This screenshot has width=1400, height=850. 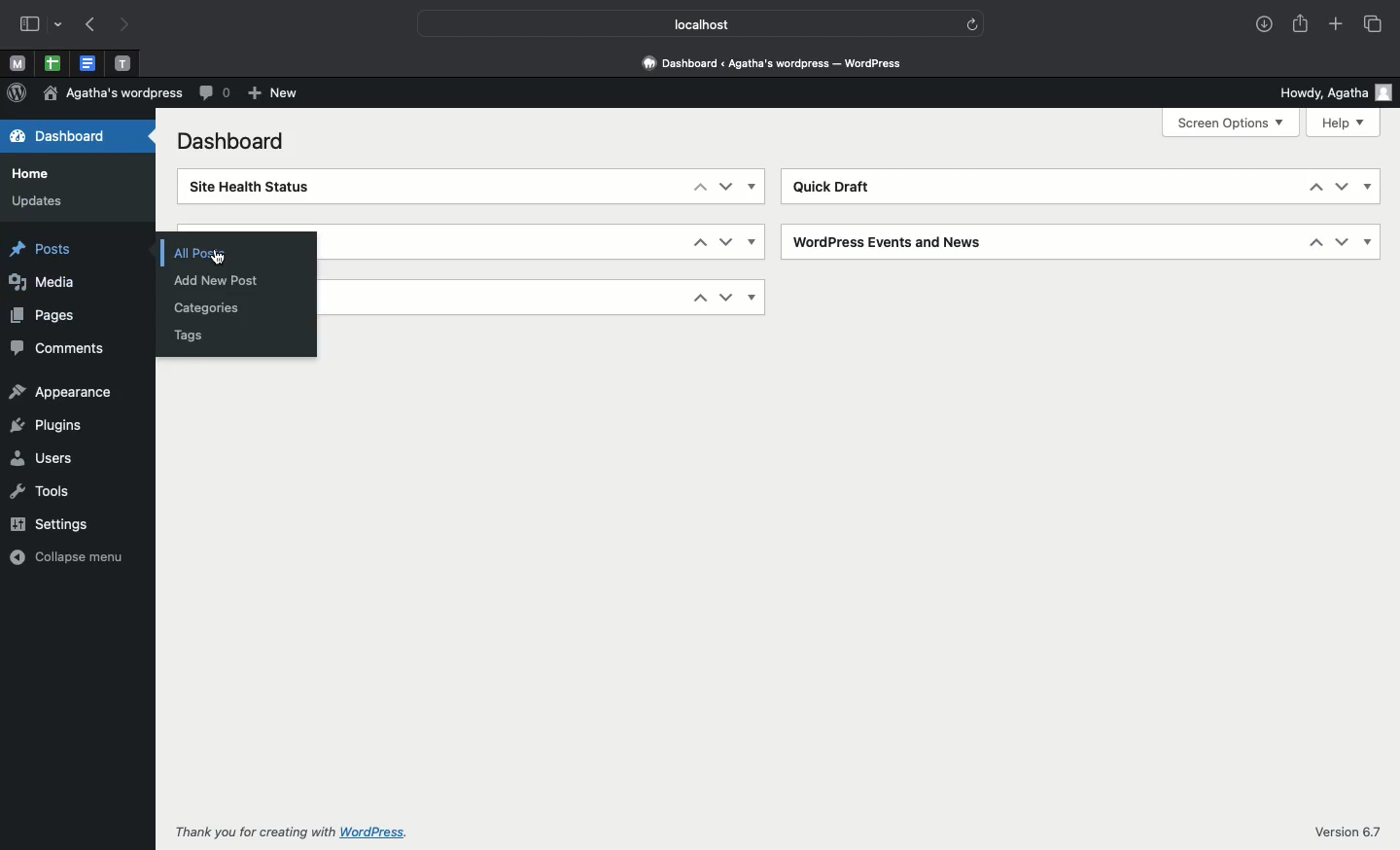 What do you see at coordinates (54, 135) in the screenshot?
I see `Dashboard` at bounding box center [54, 135].